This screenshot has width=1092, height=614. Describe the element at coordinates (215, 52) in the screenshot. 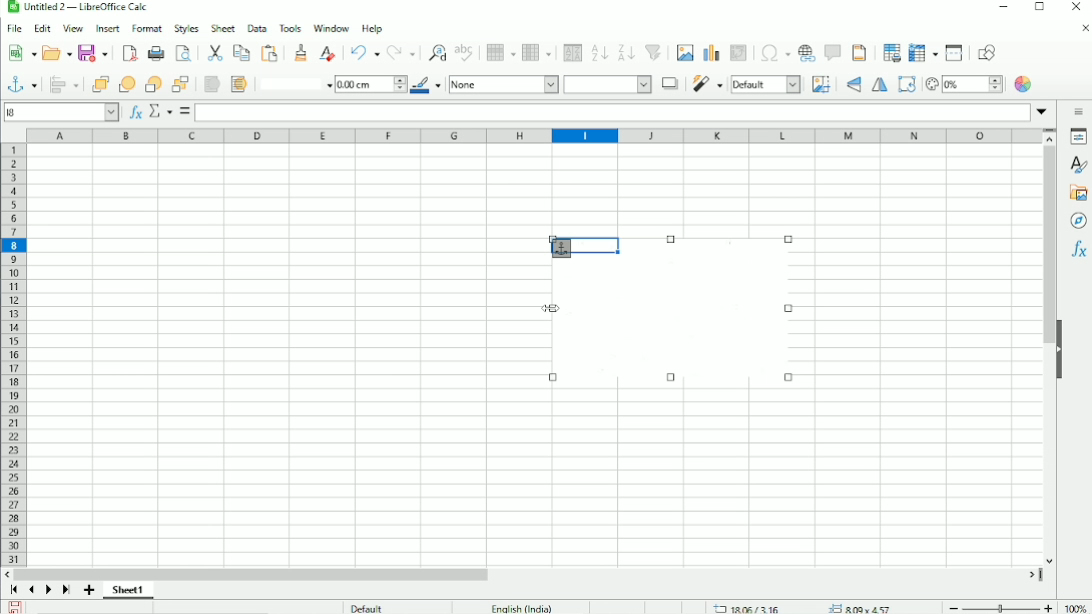

I see `Paste` at that location.